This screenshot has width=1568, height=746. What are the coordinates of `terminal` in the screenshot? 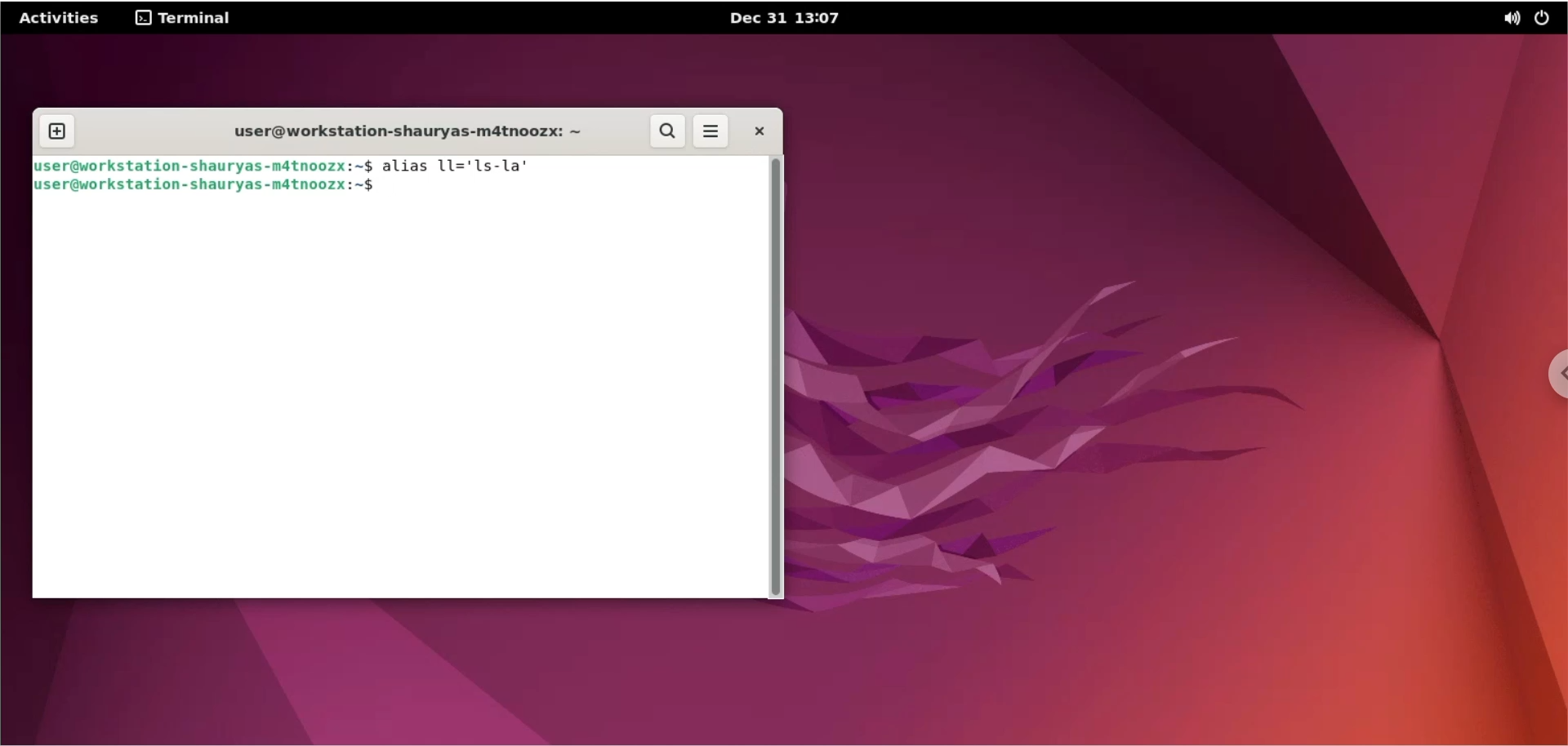 It's located at (180, 20).